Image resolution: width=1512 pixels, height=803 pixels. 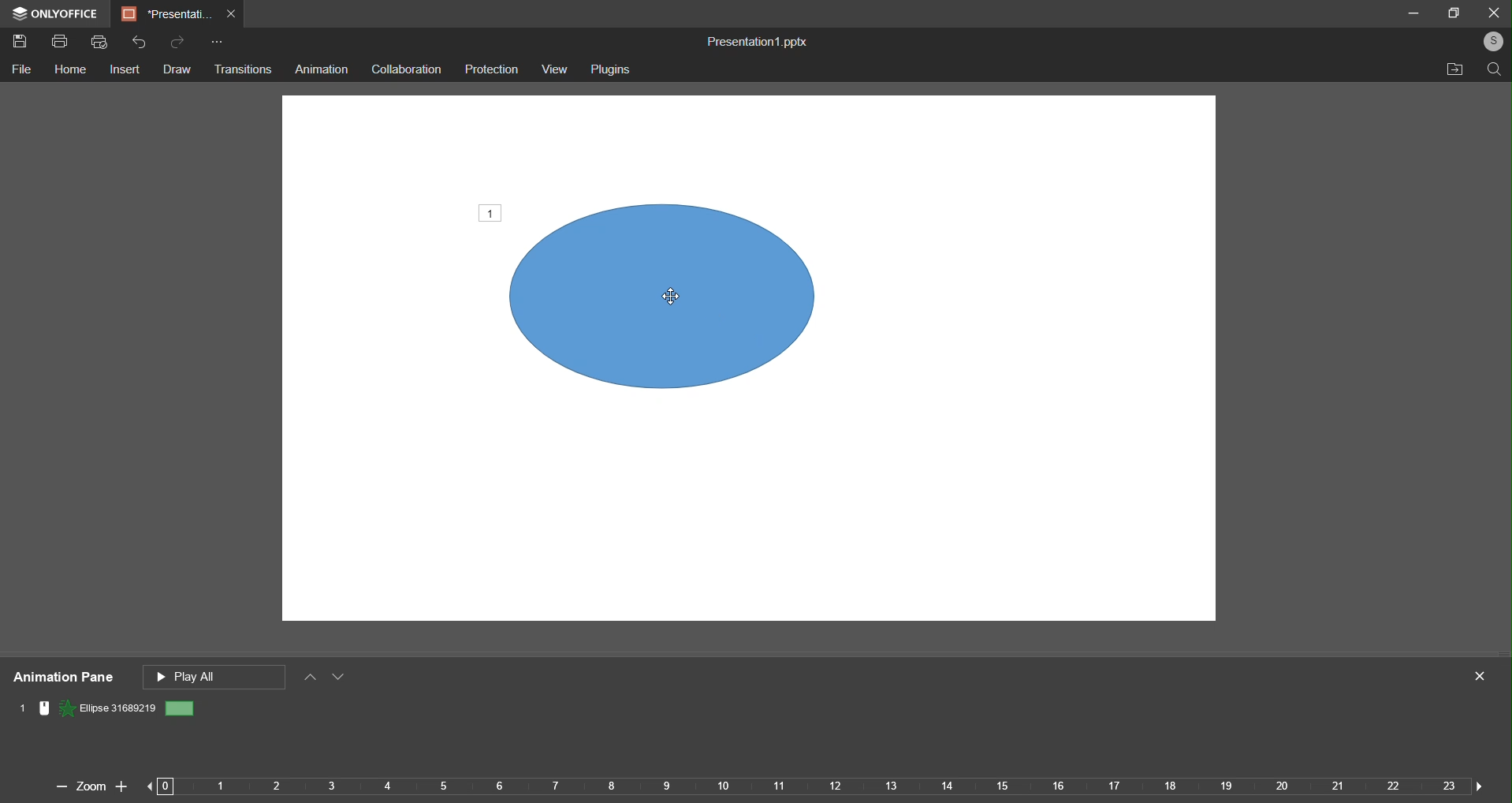 What do you see at coordinates (89, 786) in the screenshot?
I see `Zoom` at bounding box center [89, 786].